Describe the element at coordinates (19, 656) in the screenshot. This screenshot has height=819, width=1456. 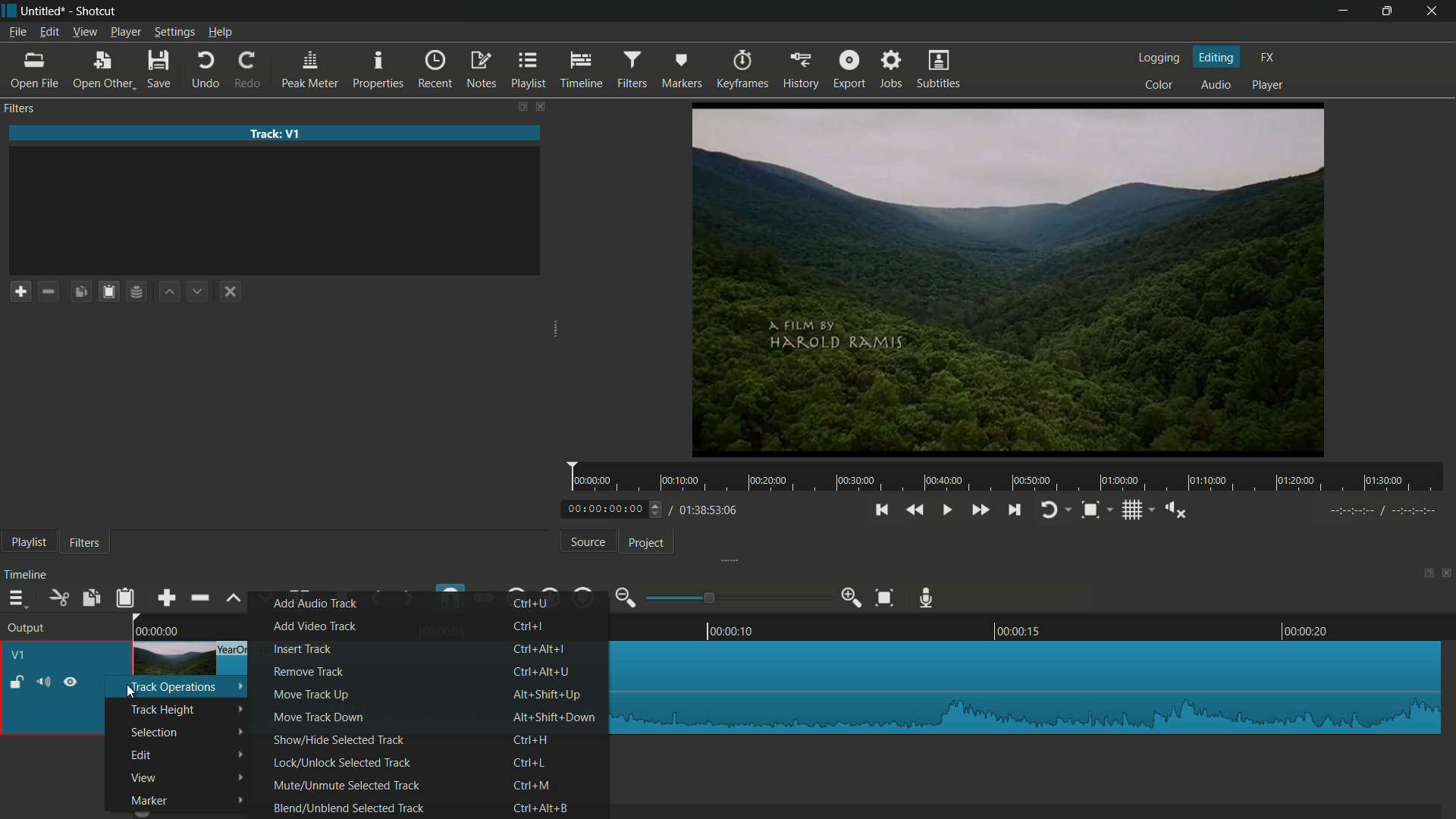
I see `v1` at that location.